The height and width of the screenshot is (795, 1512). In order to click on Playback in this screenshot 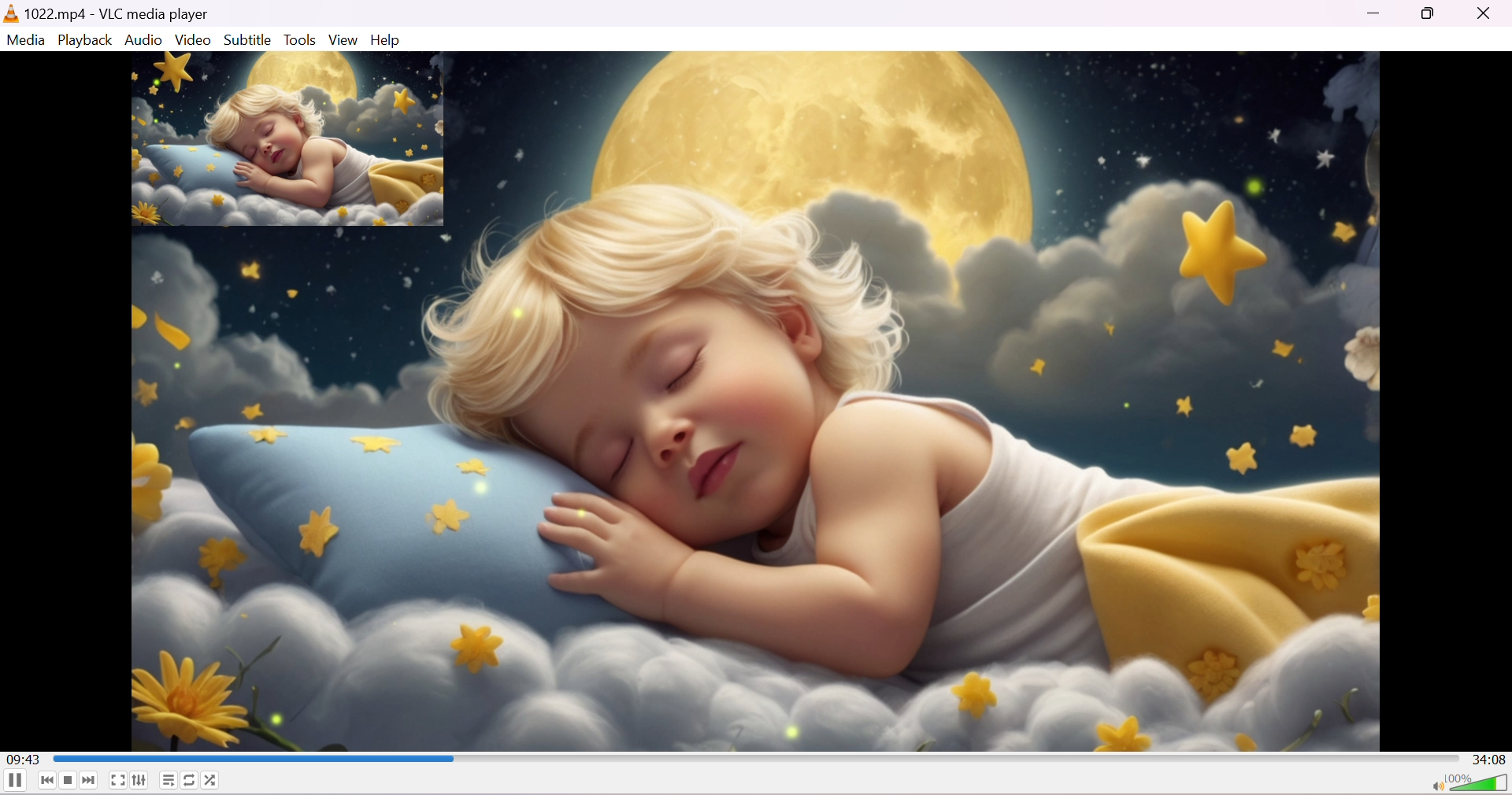, I will do `click(85, 41)`.